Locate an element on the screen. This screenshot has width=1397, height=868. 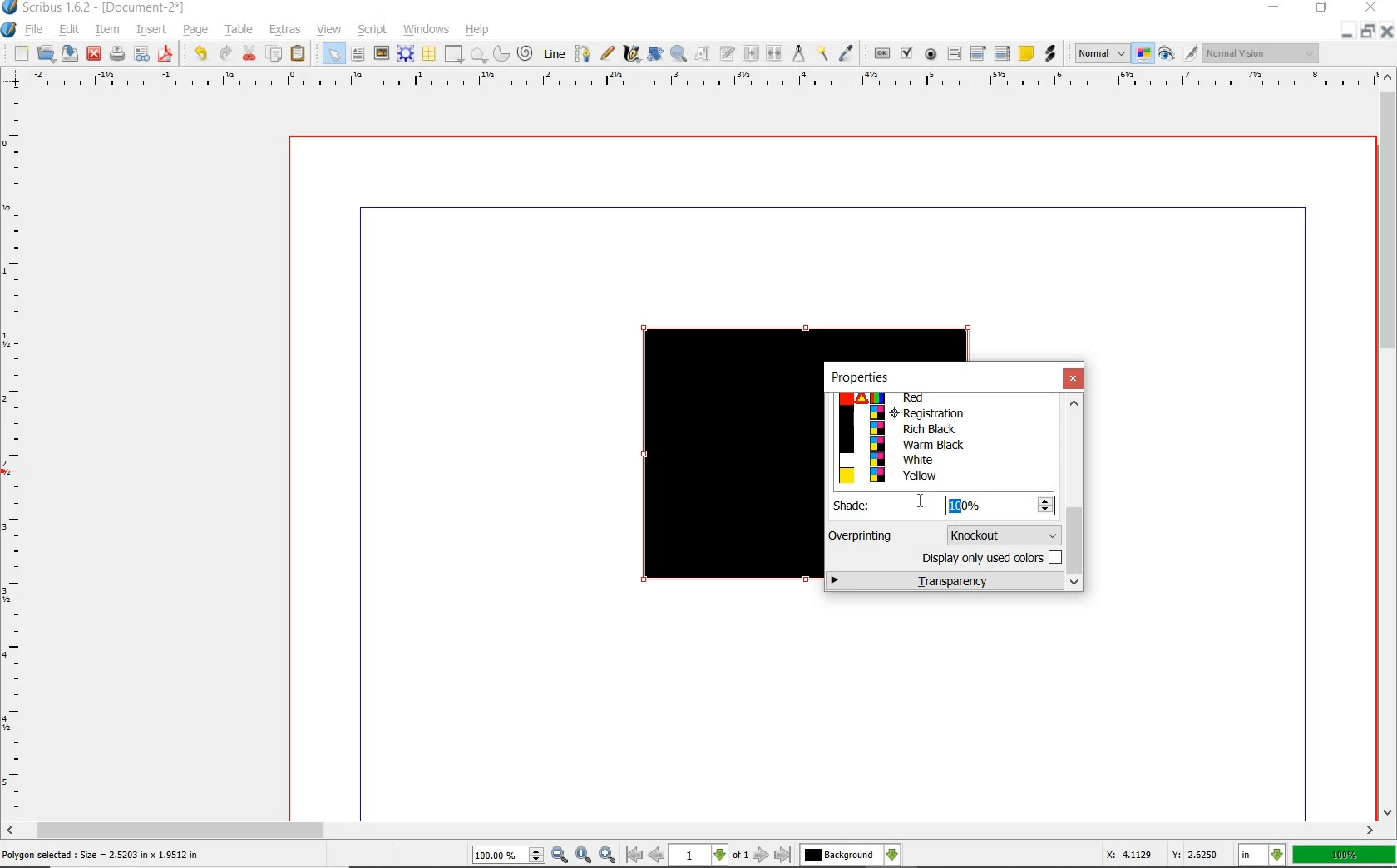
select item is located at coordinates (329, 54).